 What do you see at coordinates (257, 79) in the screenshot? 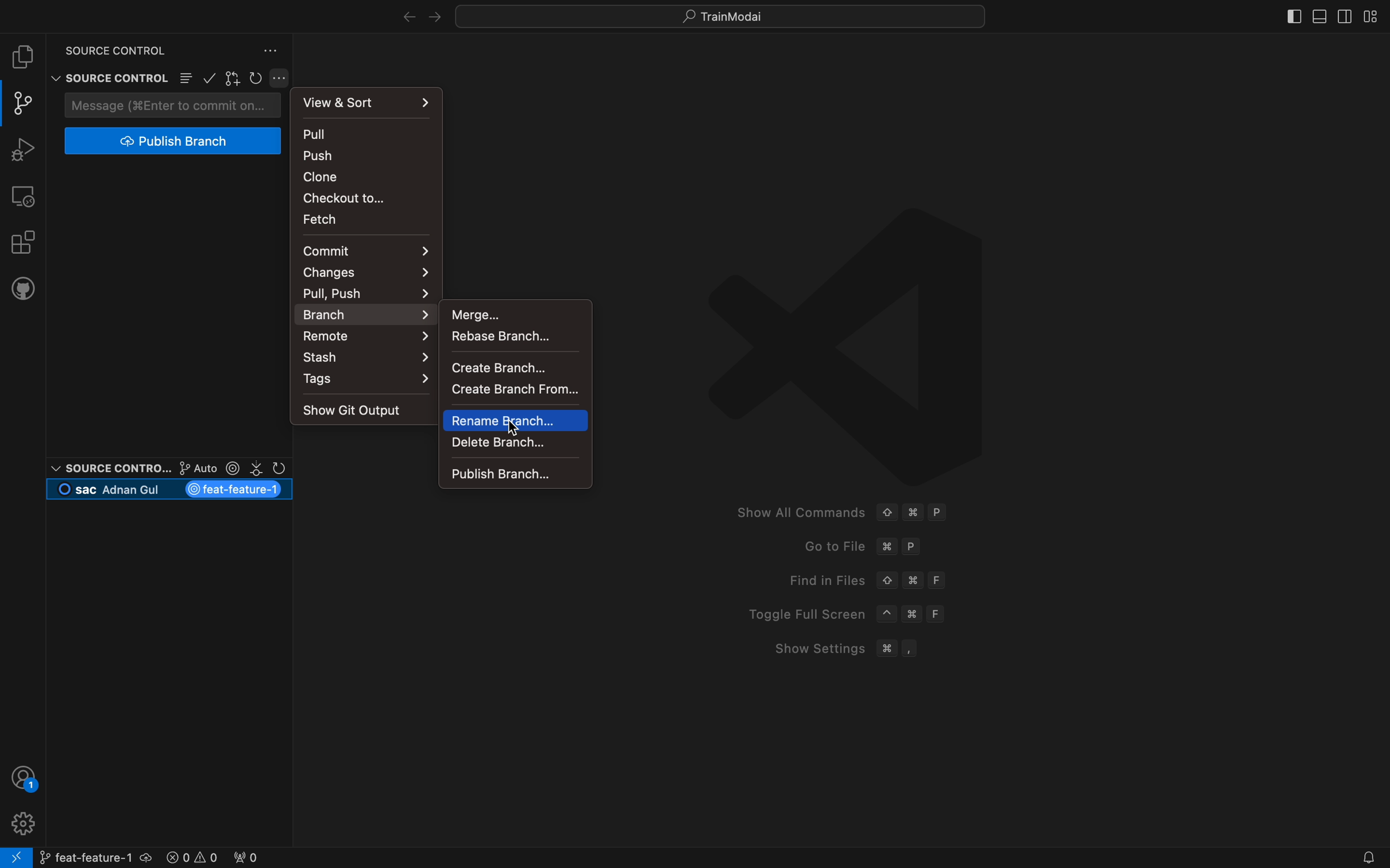
I see `restart` at bounding box center [257, 79].